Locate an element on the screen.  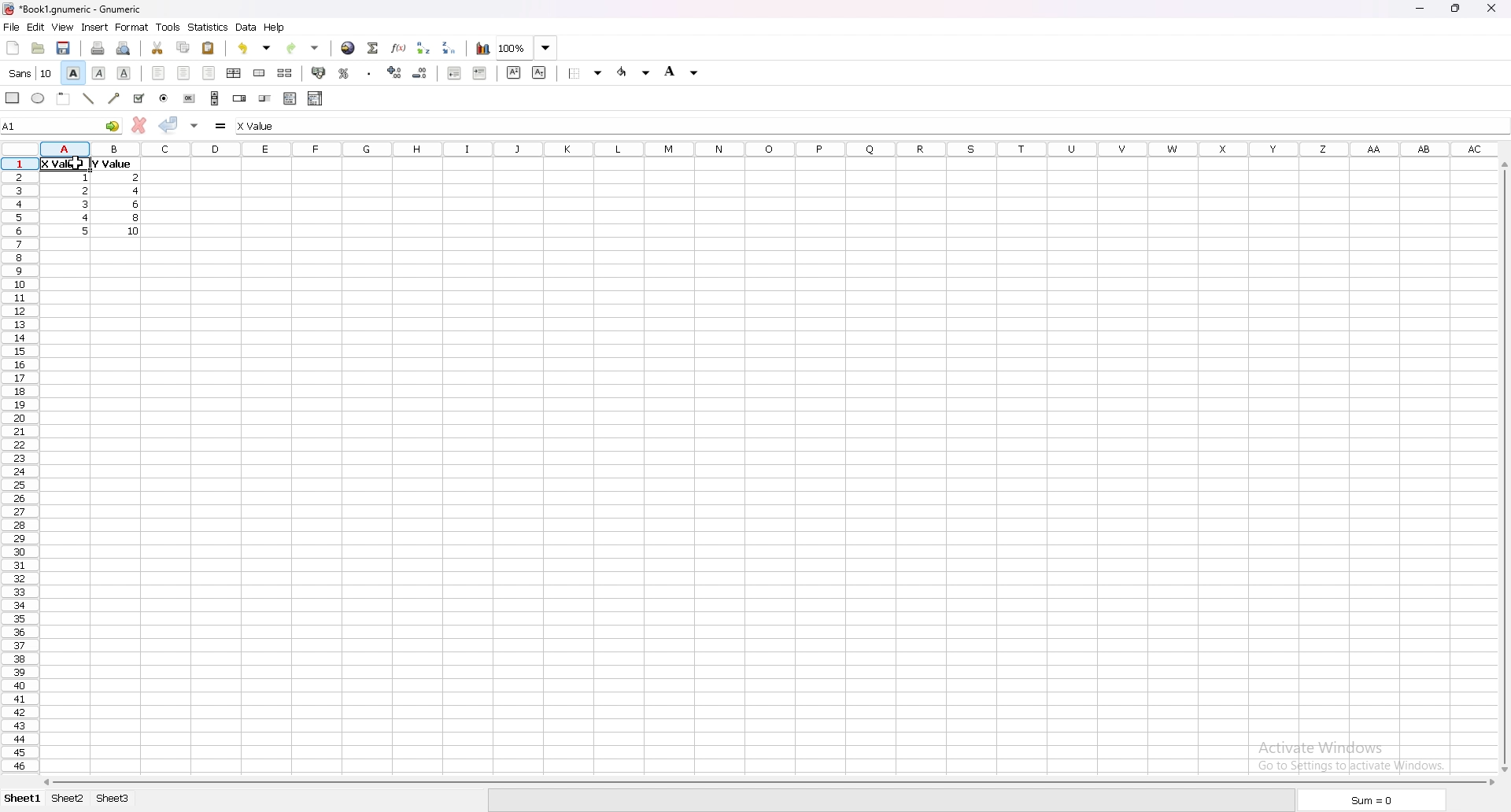
value is located at coordinates (87, 231).